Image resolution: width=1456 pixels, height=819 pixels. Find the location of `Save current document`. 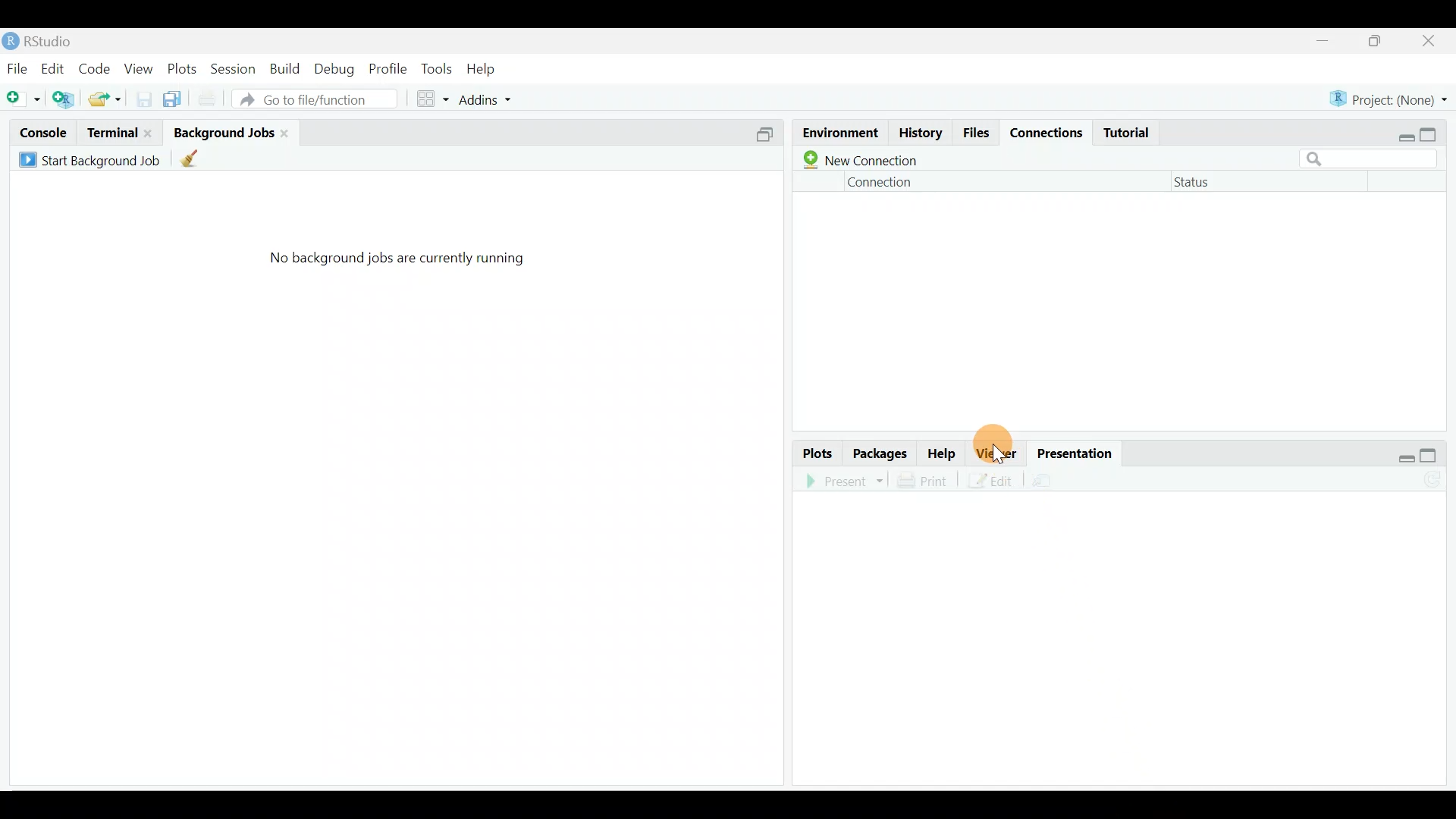

Save current document is located at coordinates (143, 98).